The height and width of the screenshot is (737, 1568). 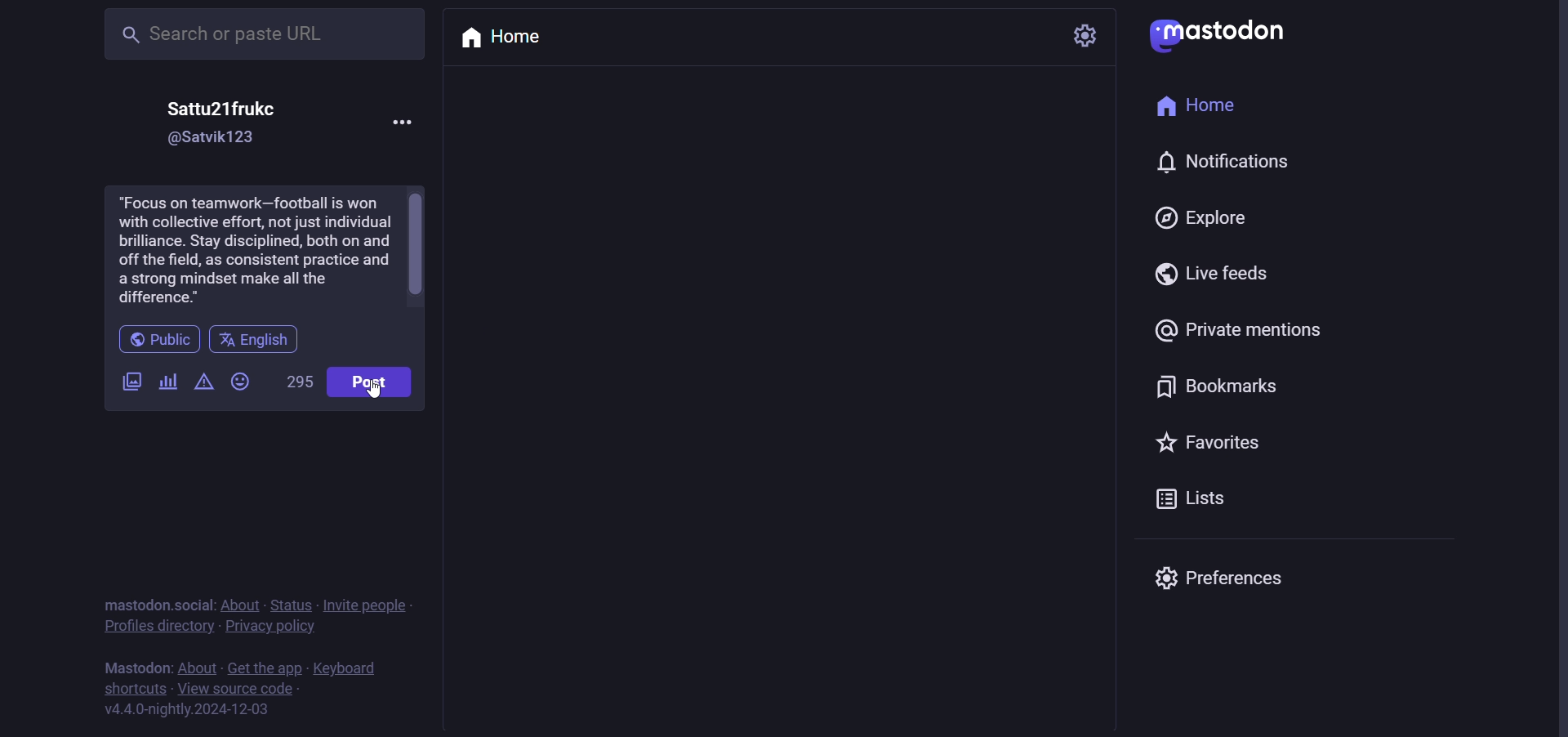 I want to click on privacy policy, so click(x=269, y=629).